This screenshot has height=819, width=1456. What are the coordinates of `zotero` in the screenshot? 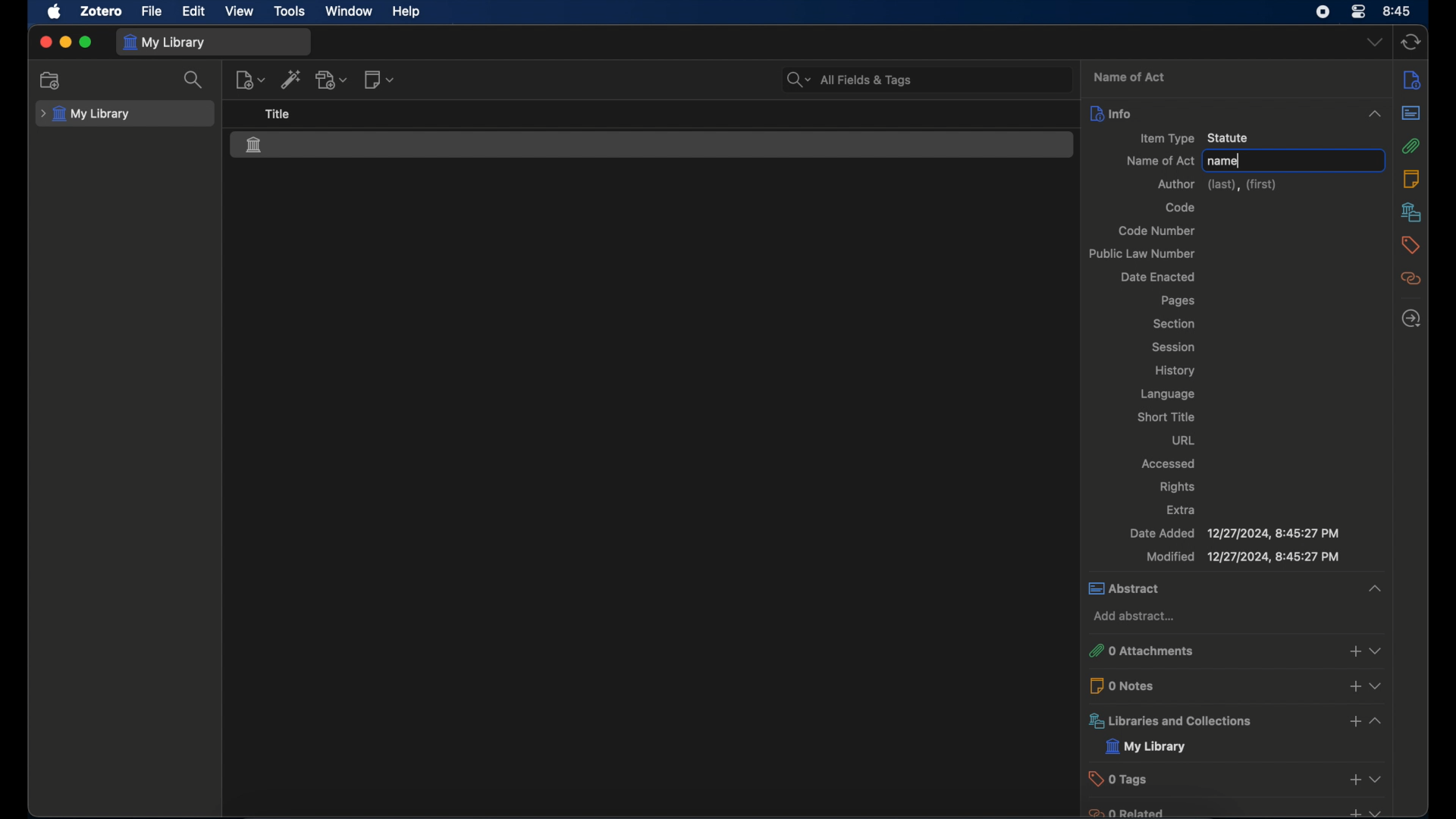 It's located at (99, 11).